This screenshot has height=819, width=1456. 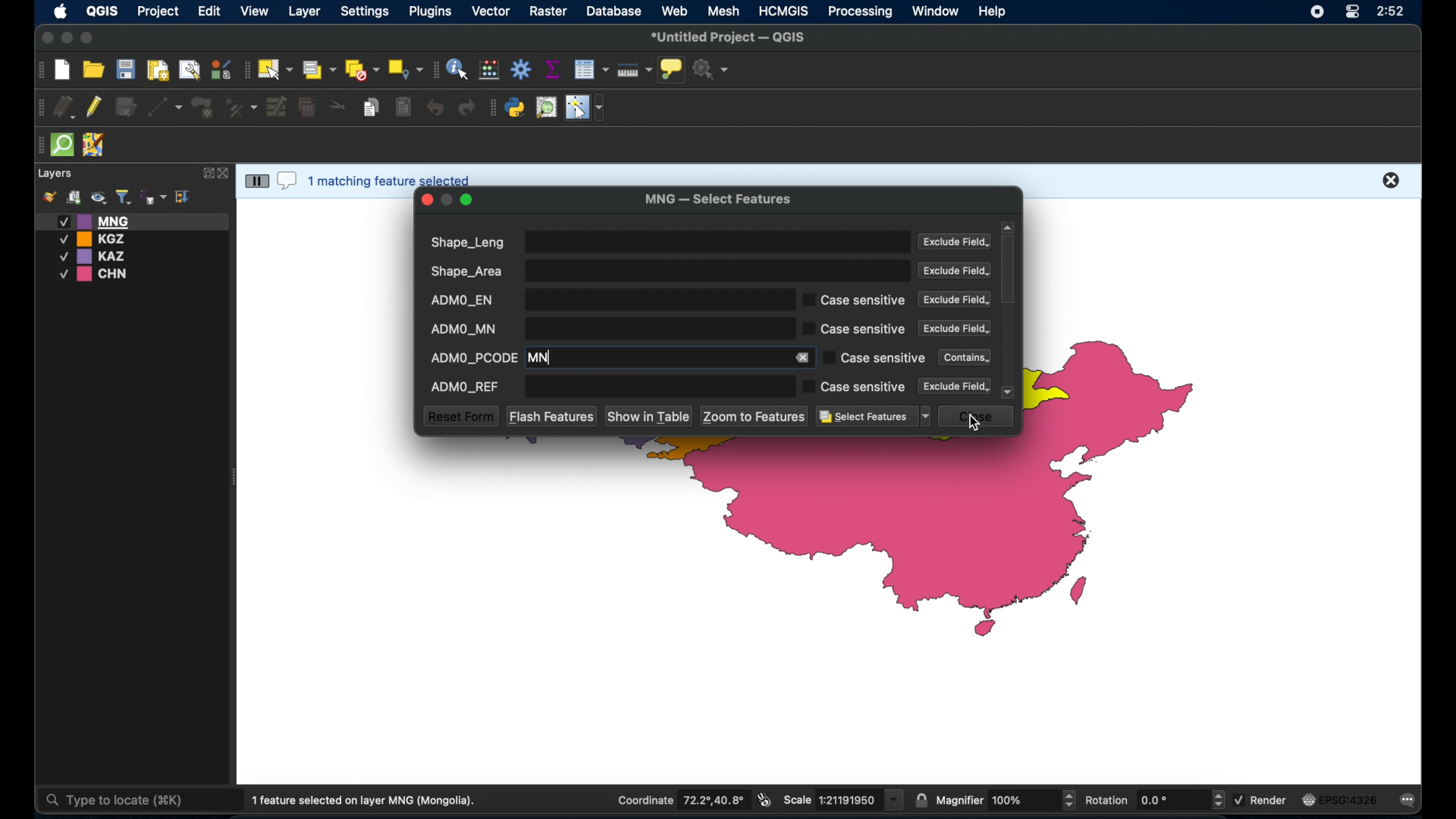 What do you see at coordinates (362, 70) in the screenshot?
I see `deselect all features` at bounding box center [362, 70].